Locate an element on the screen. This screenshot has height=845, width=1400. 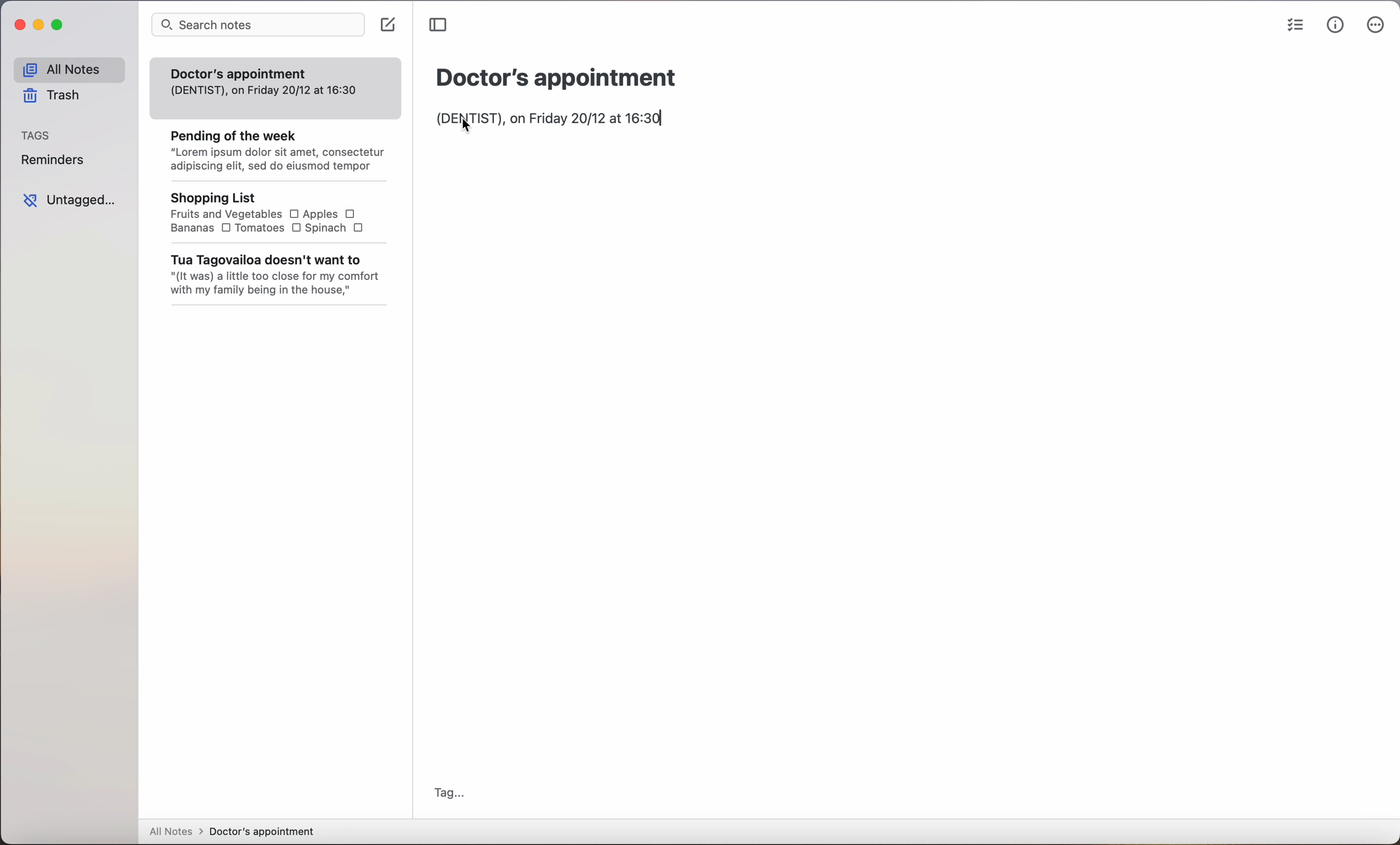
tag is located at coordinates (449, 791).